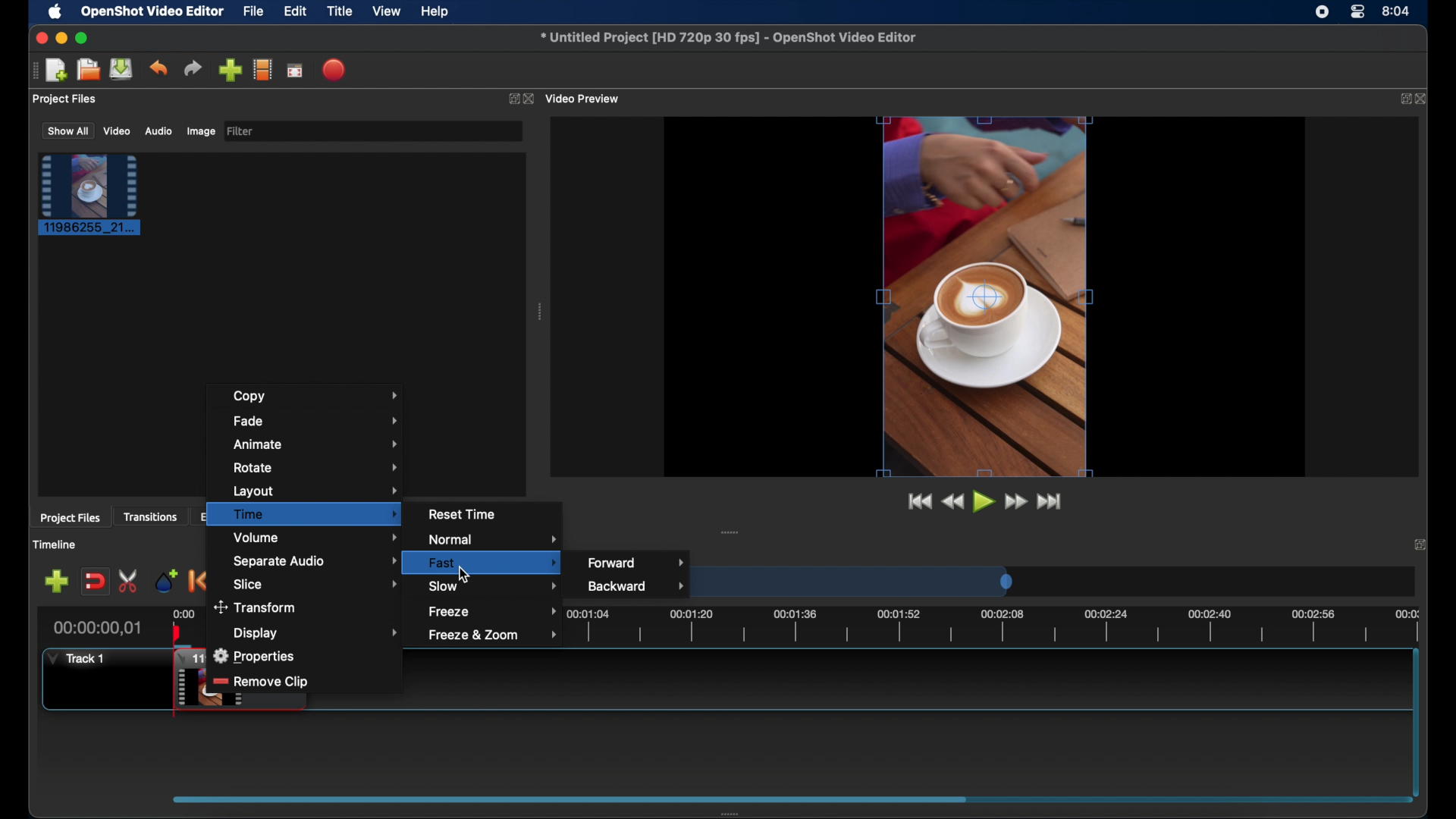 This screenshot has height=819, width=1456. I want to click on disable  snapping, so click(94, 580).